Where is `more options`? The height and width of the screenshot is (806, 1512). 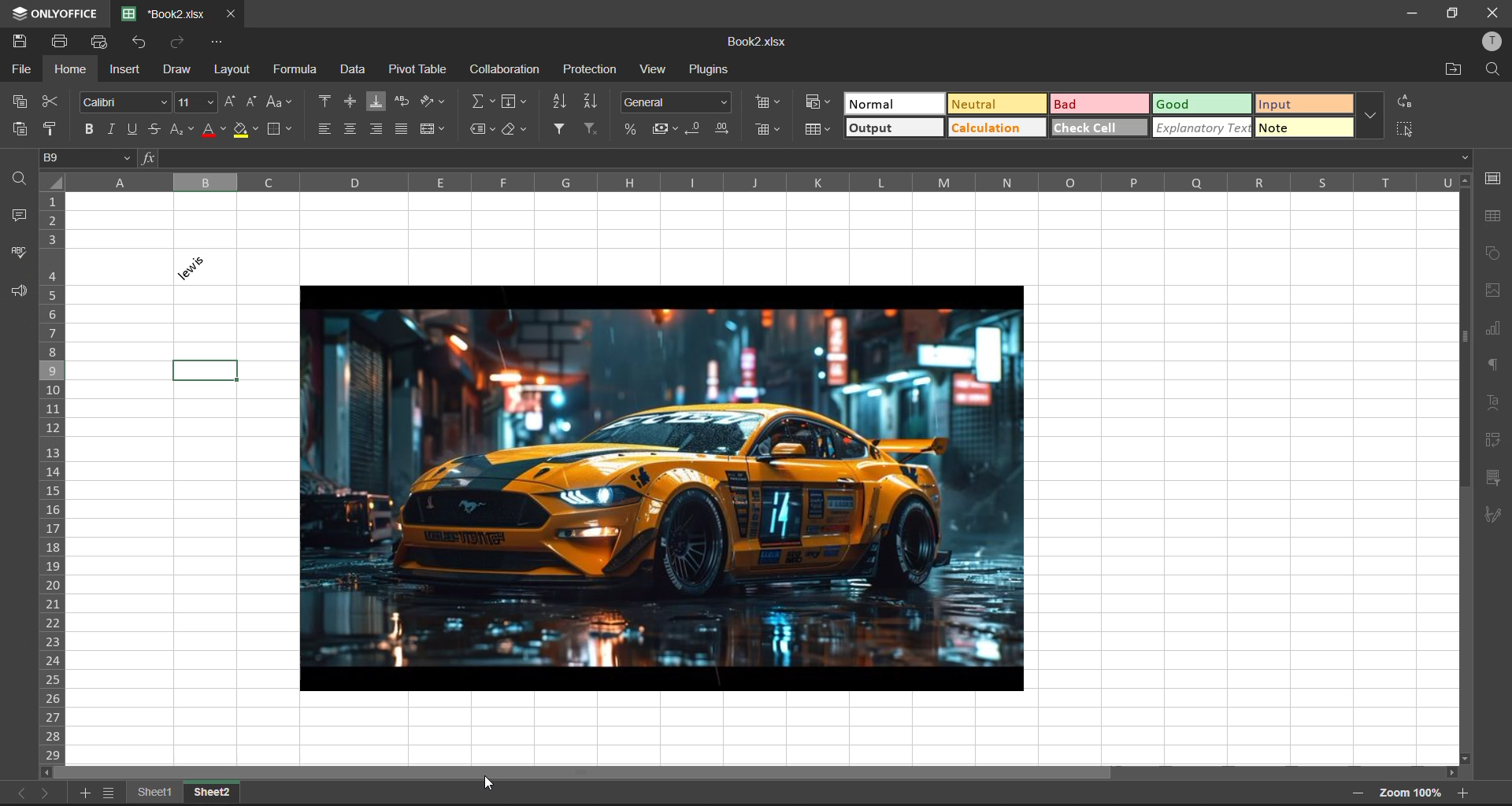 more options is located at coordinates (1369, 118).